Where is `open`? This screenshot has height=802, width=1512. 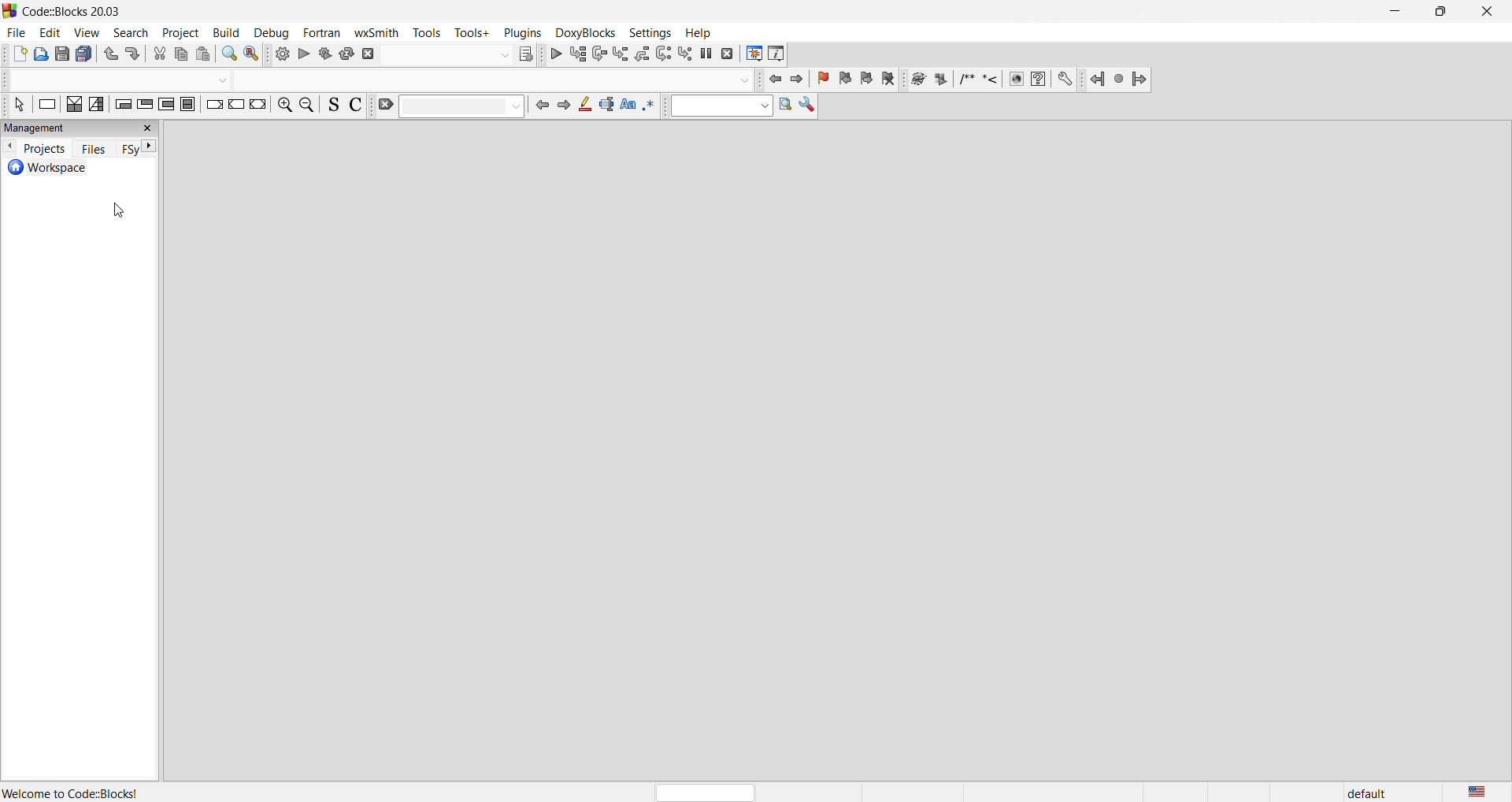 open is located at coordinates (43, 56).